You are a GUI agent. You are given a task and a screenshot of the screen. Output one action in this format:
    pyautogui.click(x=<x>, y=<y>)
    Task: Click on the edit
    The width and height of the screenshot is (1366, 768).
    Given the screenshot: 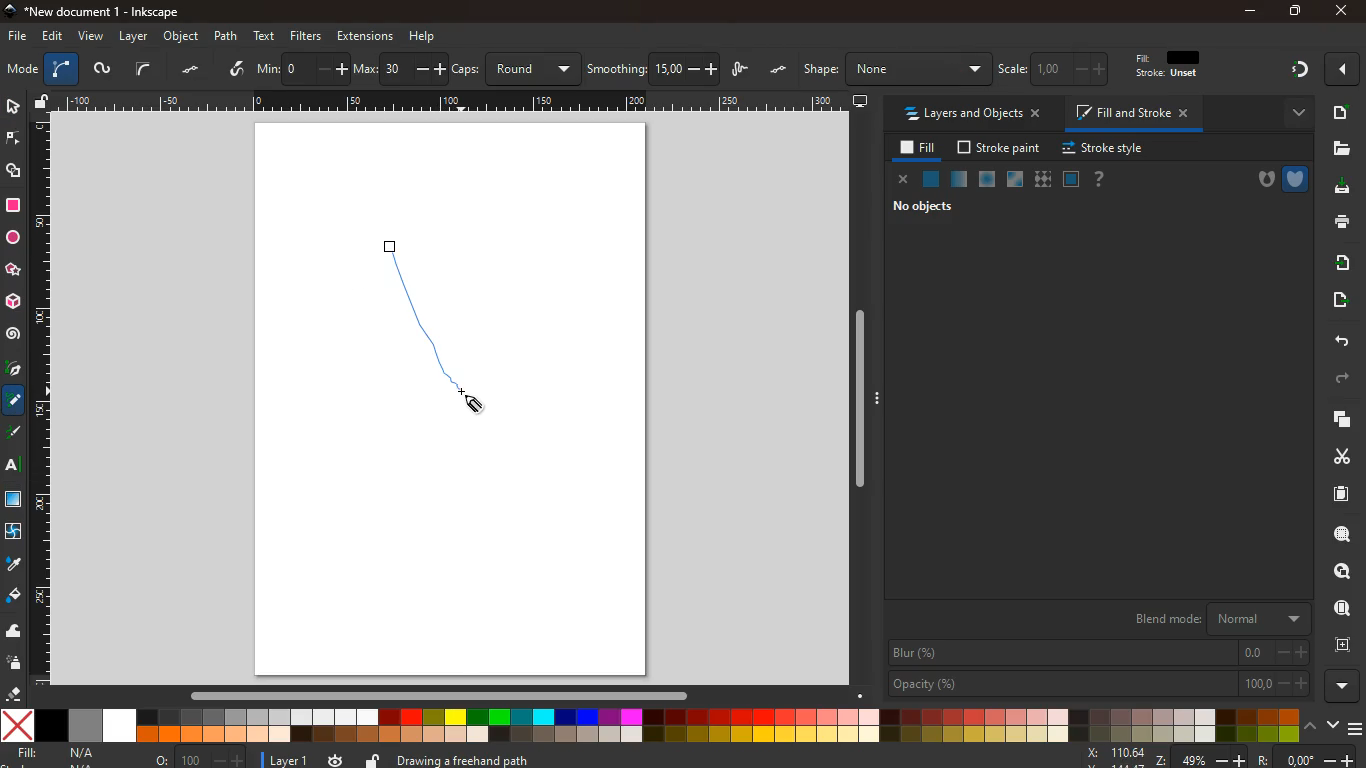 What is the action you would take?
    pyautogui.click(x=54, y=36)
    